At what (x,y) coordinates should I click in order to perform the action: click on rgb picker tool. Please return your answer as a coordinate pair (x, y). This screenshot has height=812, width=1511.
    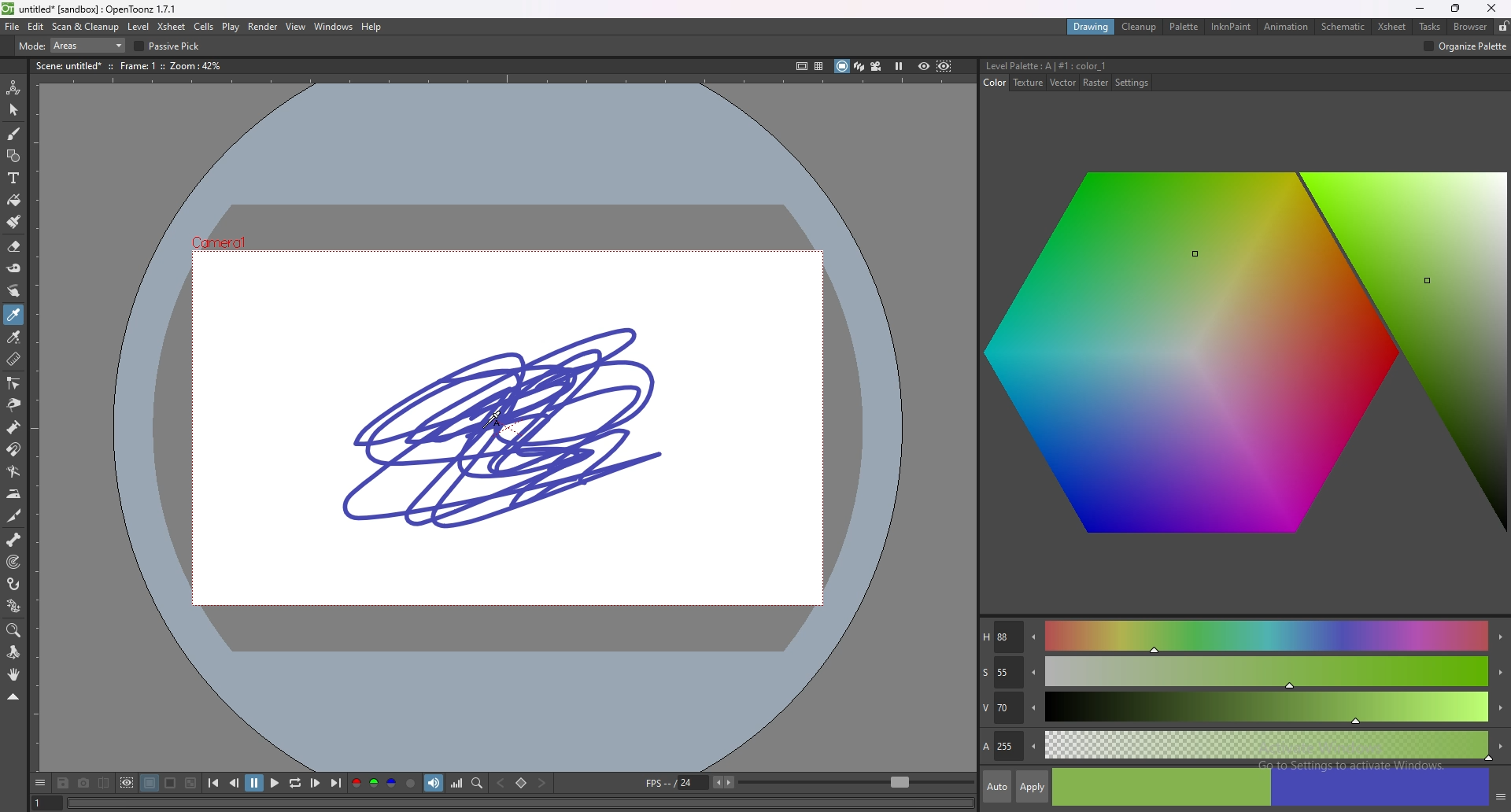
    Looking at the image, I should click on (14, 337).